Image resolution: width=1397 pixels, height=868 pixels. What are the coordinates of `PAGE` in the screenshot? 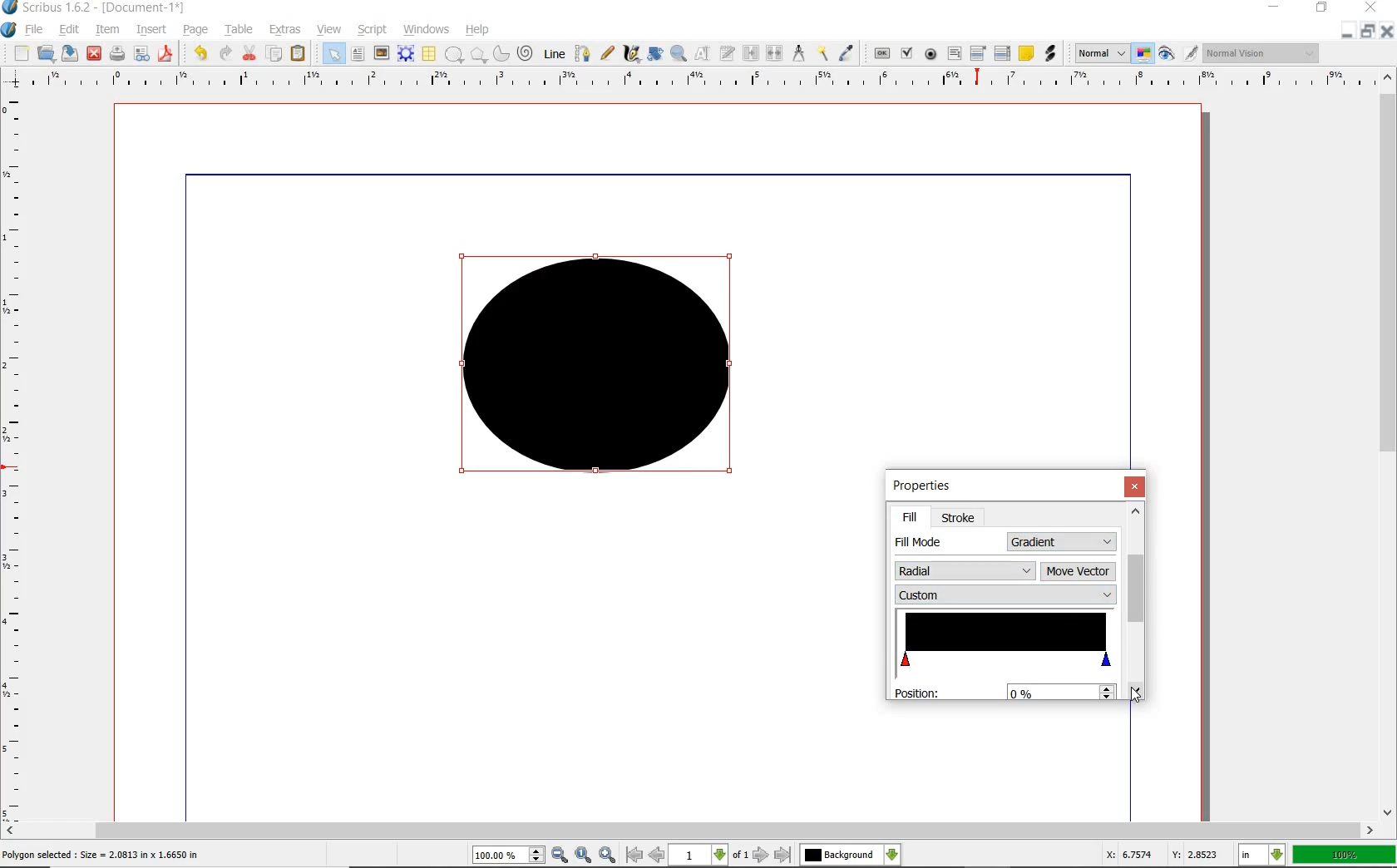 It's located at (193, 31).